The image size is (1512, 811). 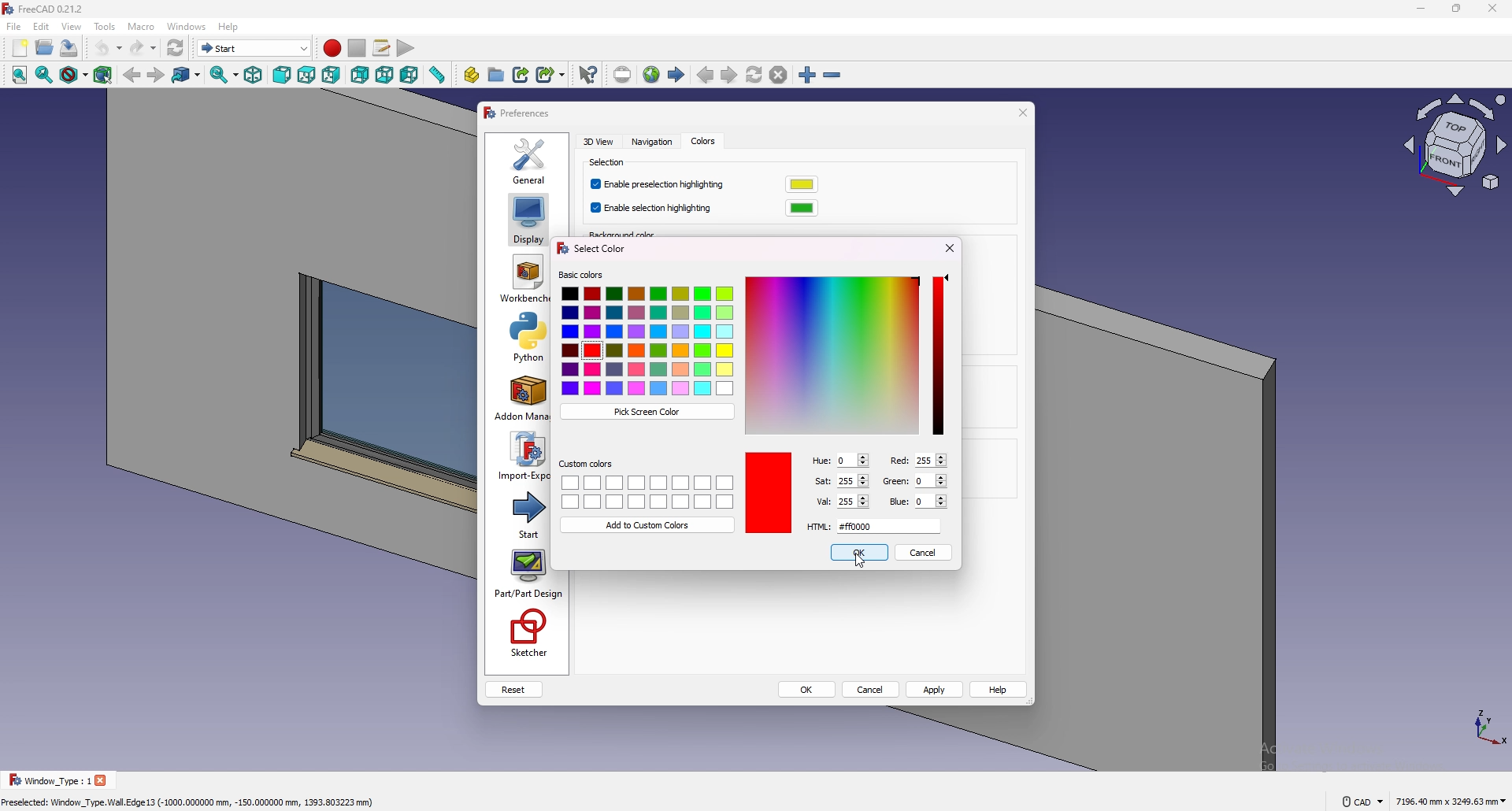 What do you see at coordinates (807, 76) in the screenshot?
I see `zoom in` at bounding box center [807, 76].